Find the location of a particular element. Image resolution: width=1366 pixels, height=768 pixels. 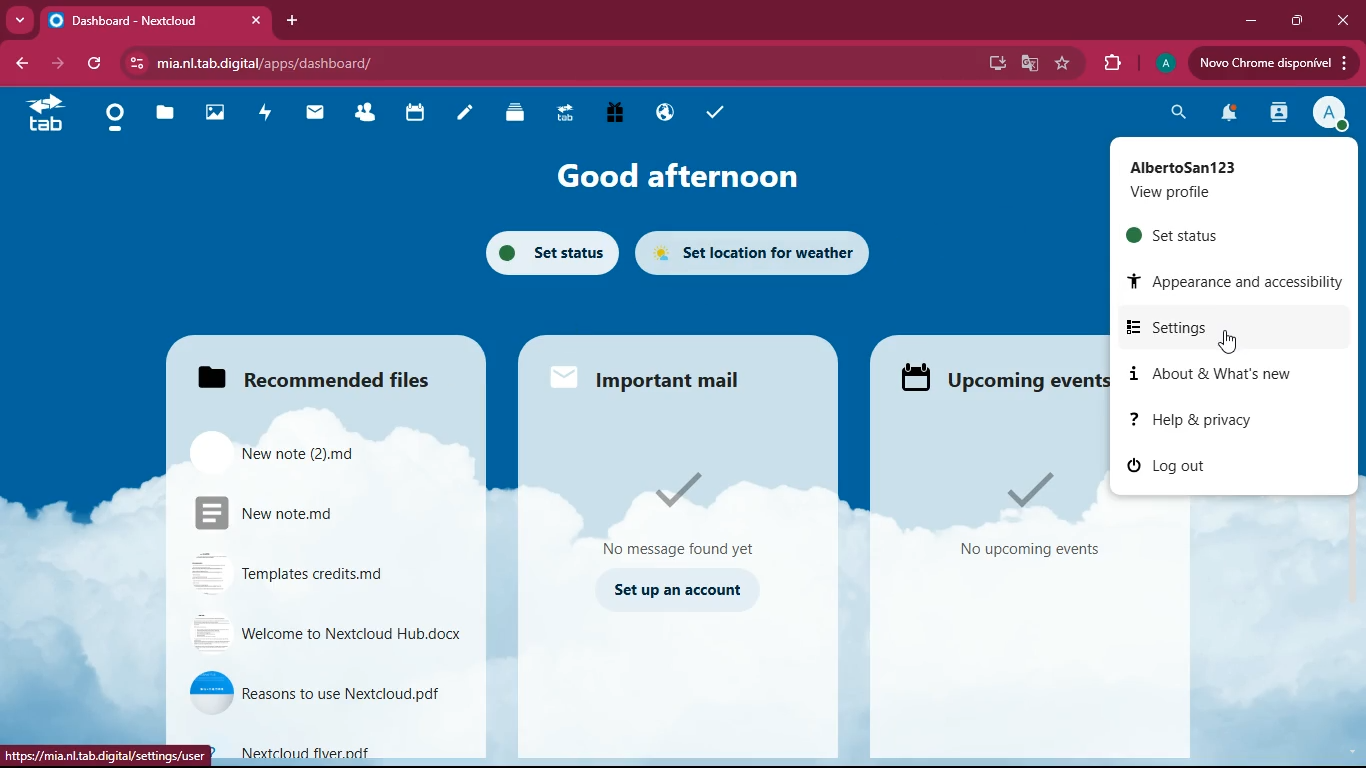

public is located at coordinates (660, 114).